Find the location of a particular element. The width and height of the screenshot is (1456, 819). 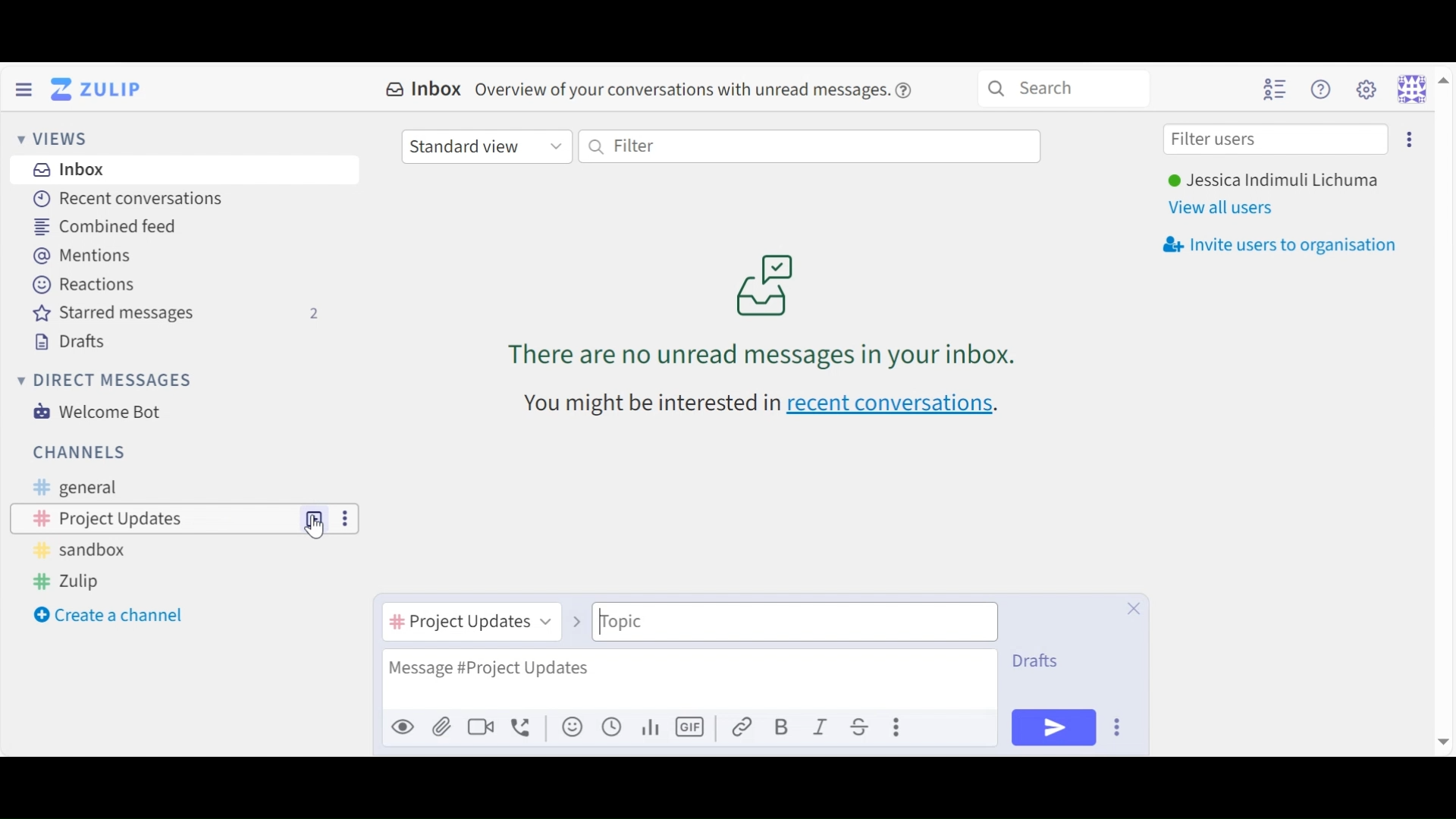

Channel is located at coordinates (155, 518).